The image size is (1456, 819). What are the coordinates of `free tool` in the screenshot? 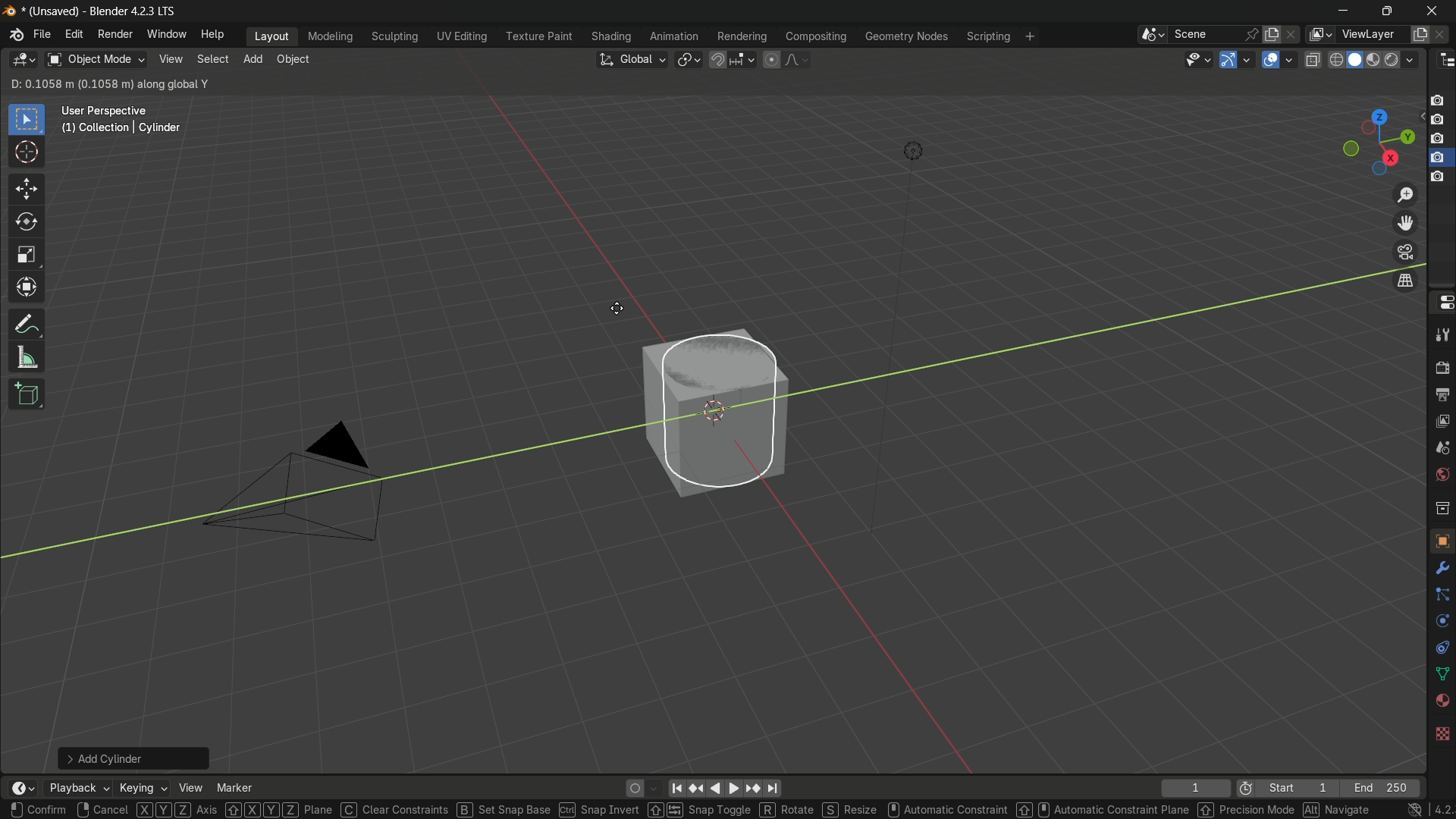 It's located at (1439, 645).